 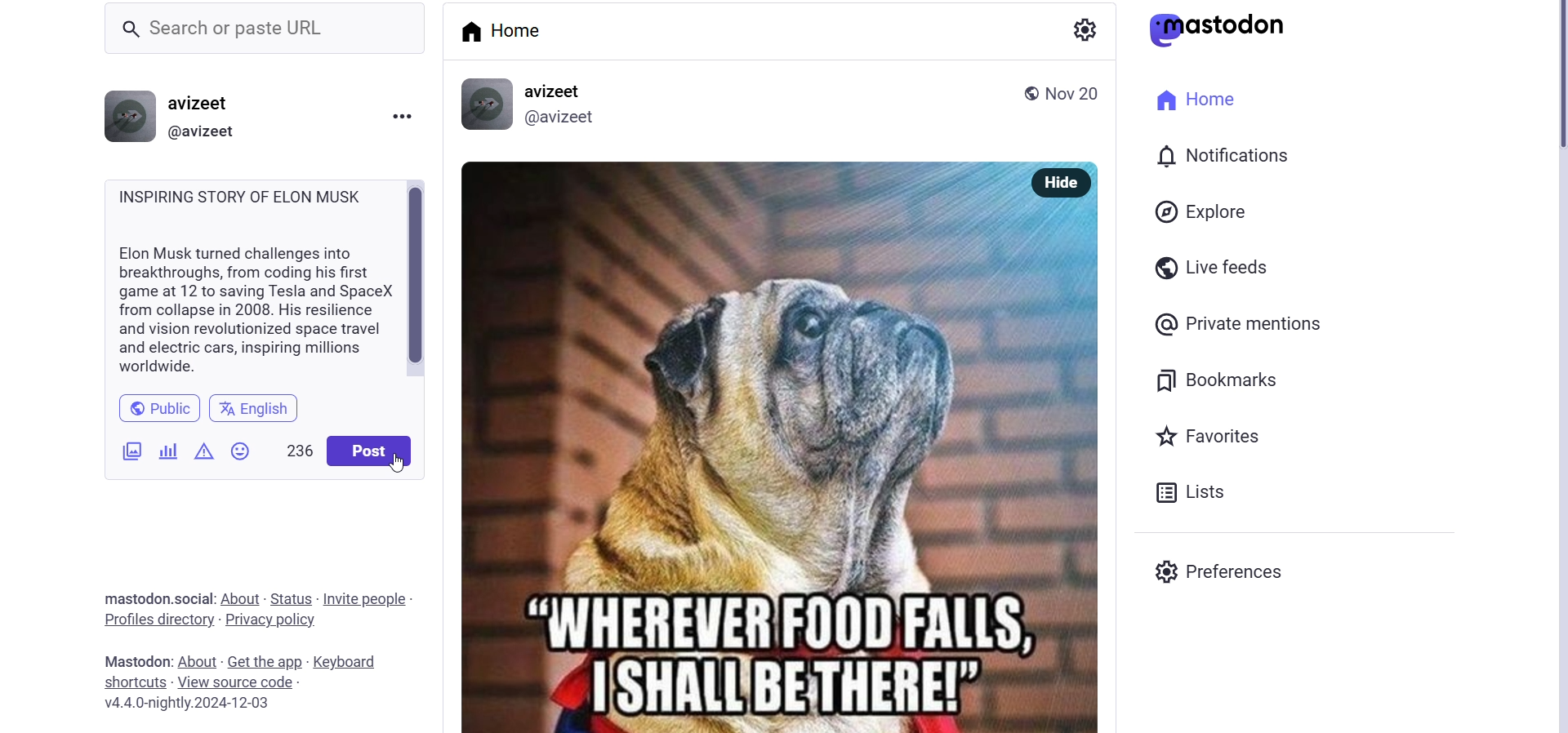 What do you see at coordinates (399, 464) in the screenshot?
I see `cursor` at bounding box center [399, 464].